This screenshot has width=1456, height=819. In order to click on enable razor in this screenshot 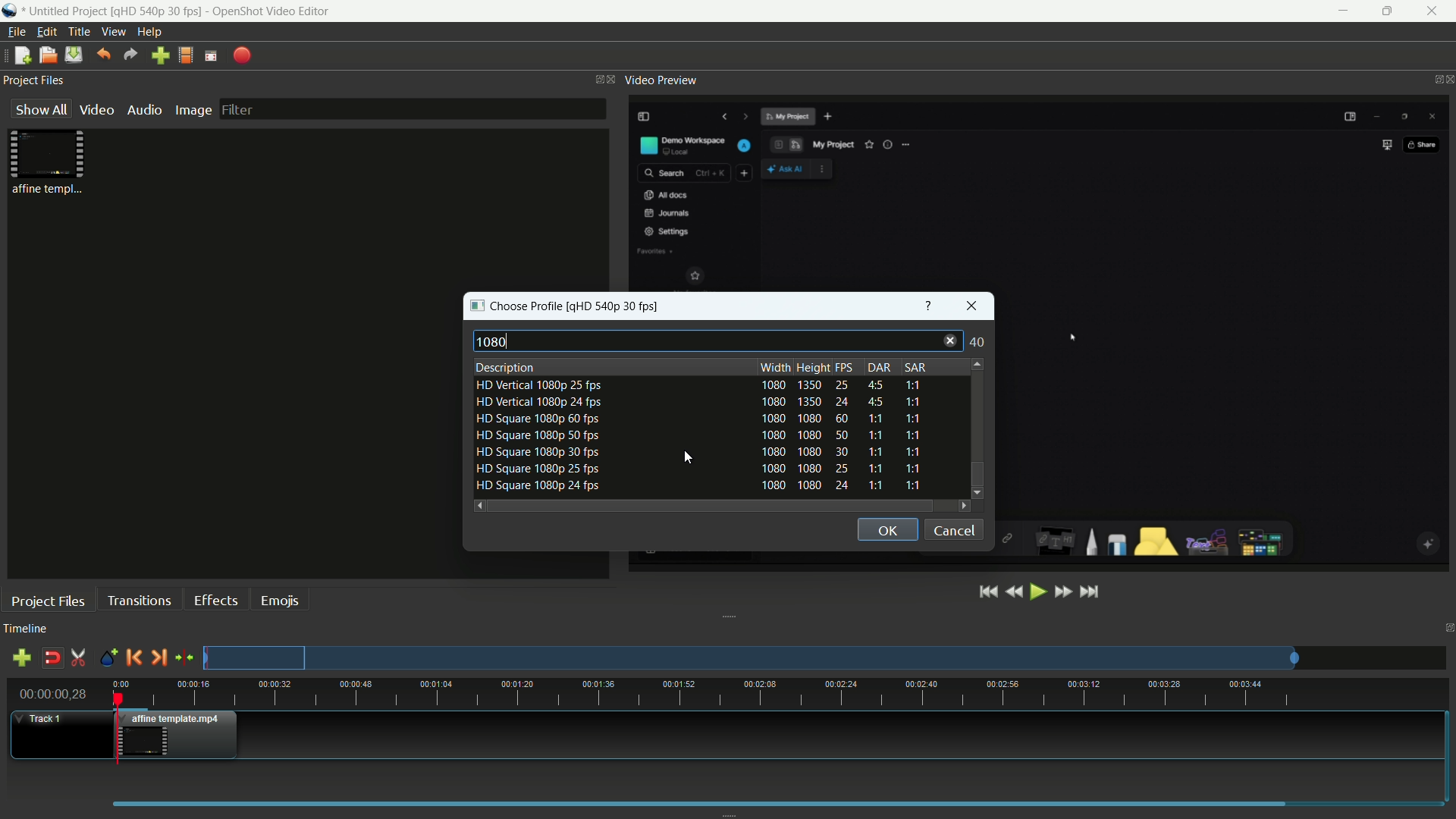, I will do `click(79, 657)`.